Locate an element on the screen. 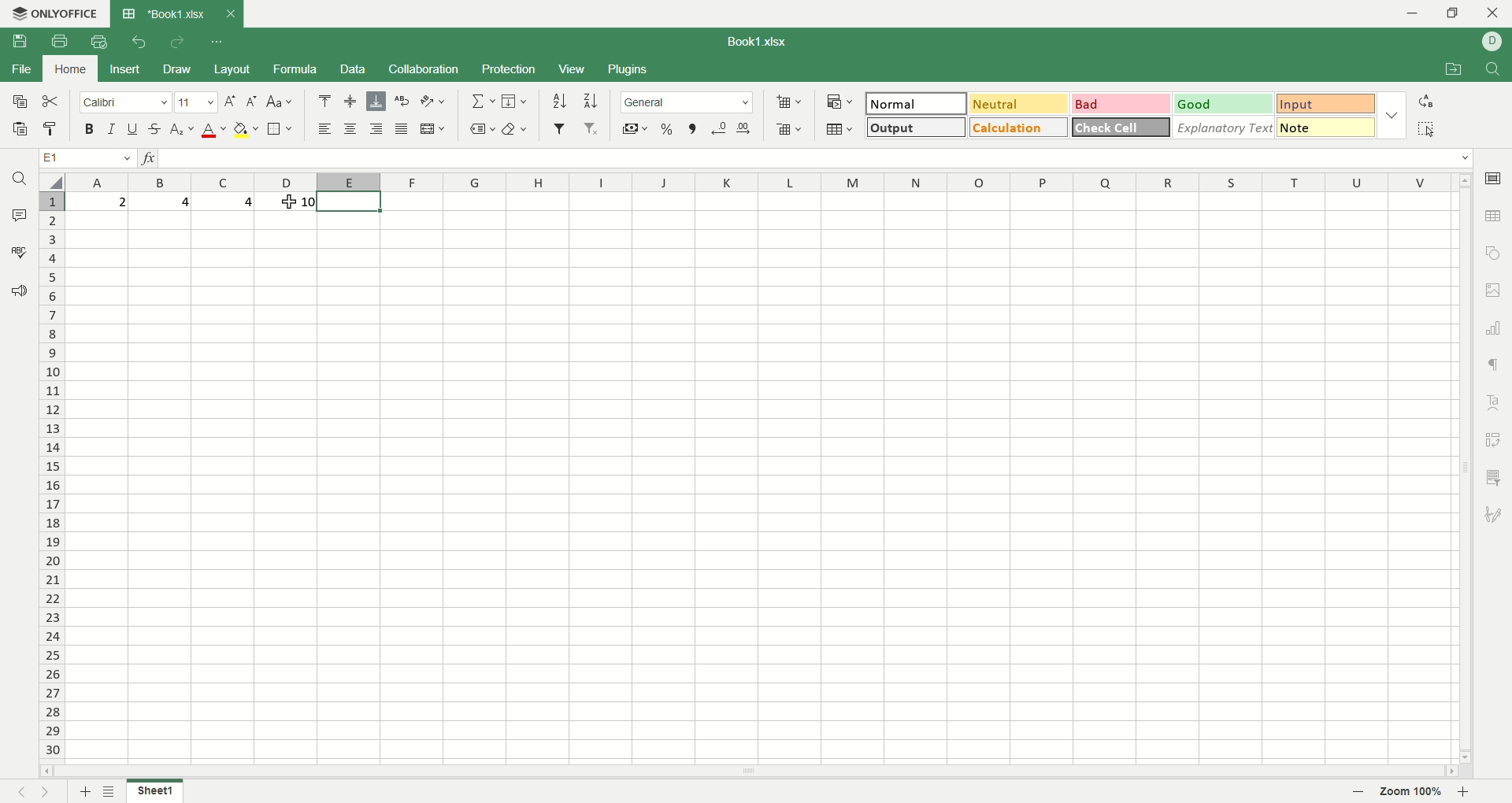 The height and width of the screenshot is (803, 1512). remove filter is located at coordinates (591, 127).